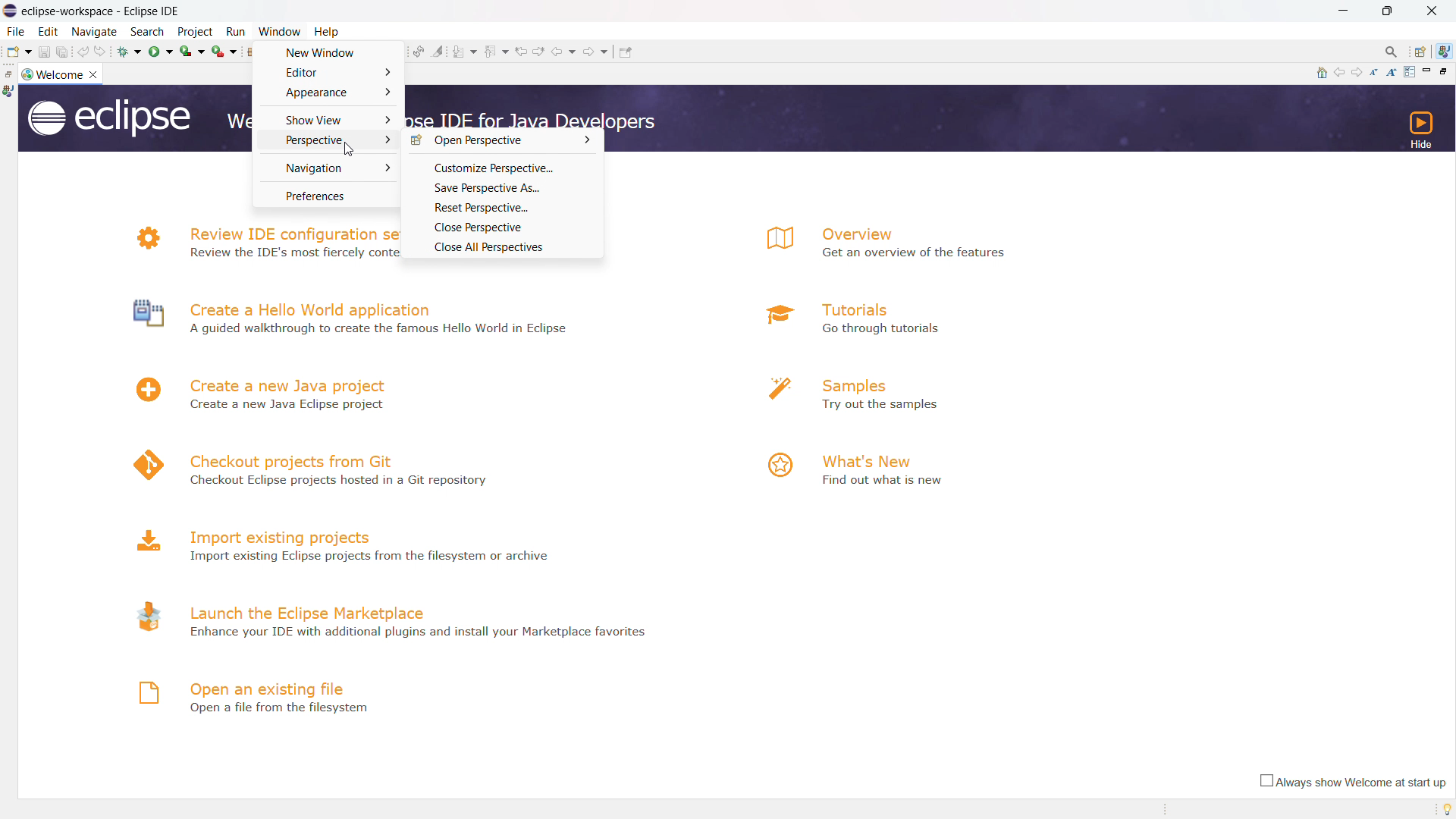 This screenshot has height=819, width=1456. I want to click on restore, so click(1447, 71).